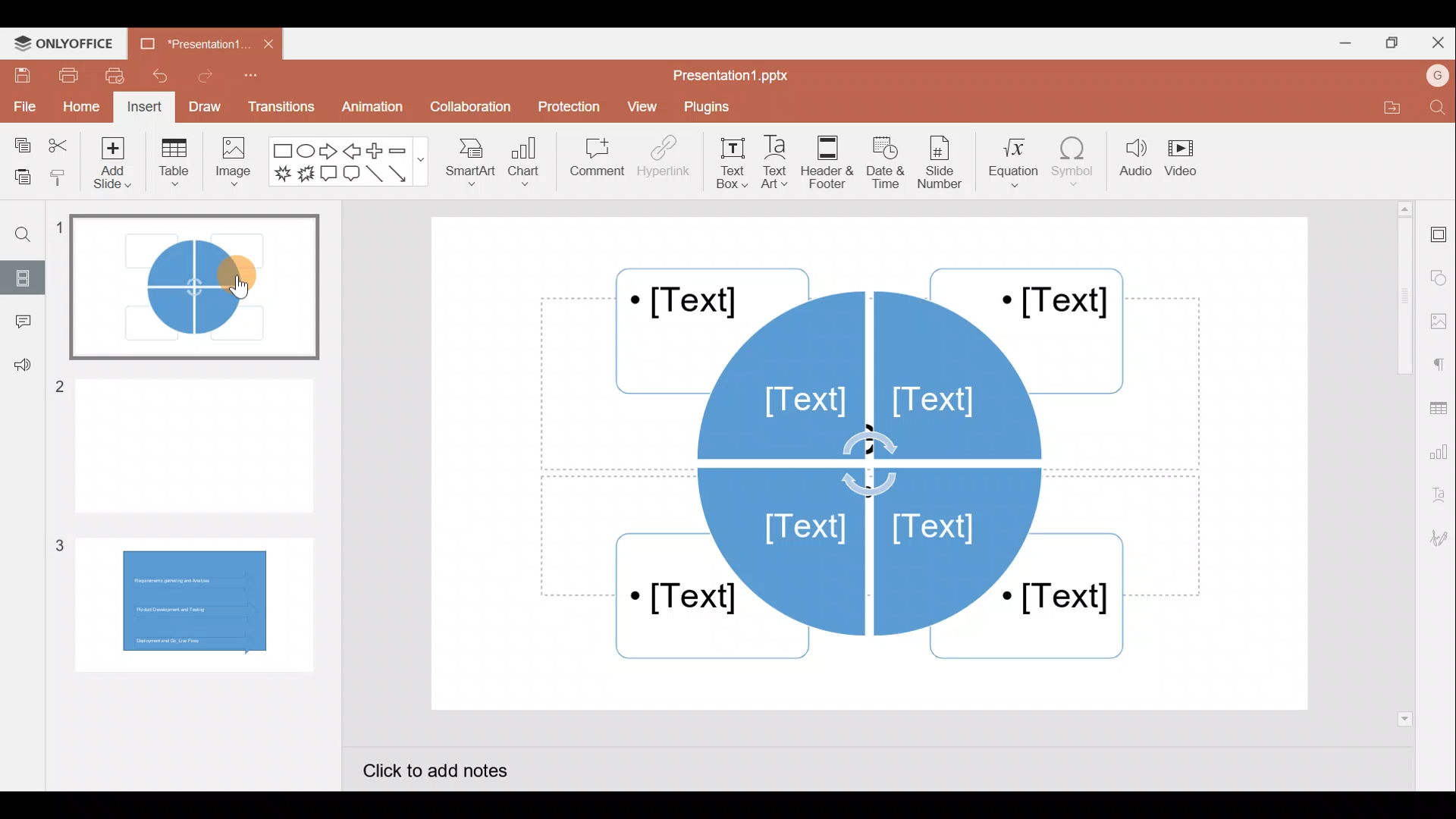 This screenshot has height=819, width=1456. I want to click on Presentation1.pptx, so click(734, 76).